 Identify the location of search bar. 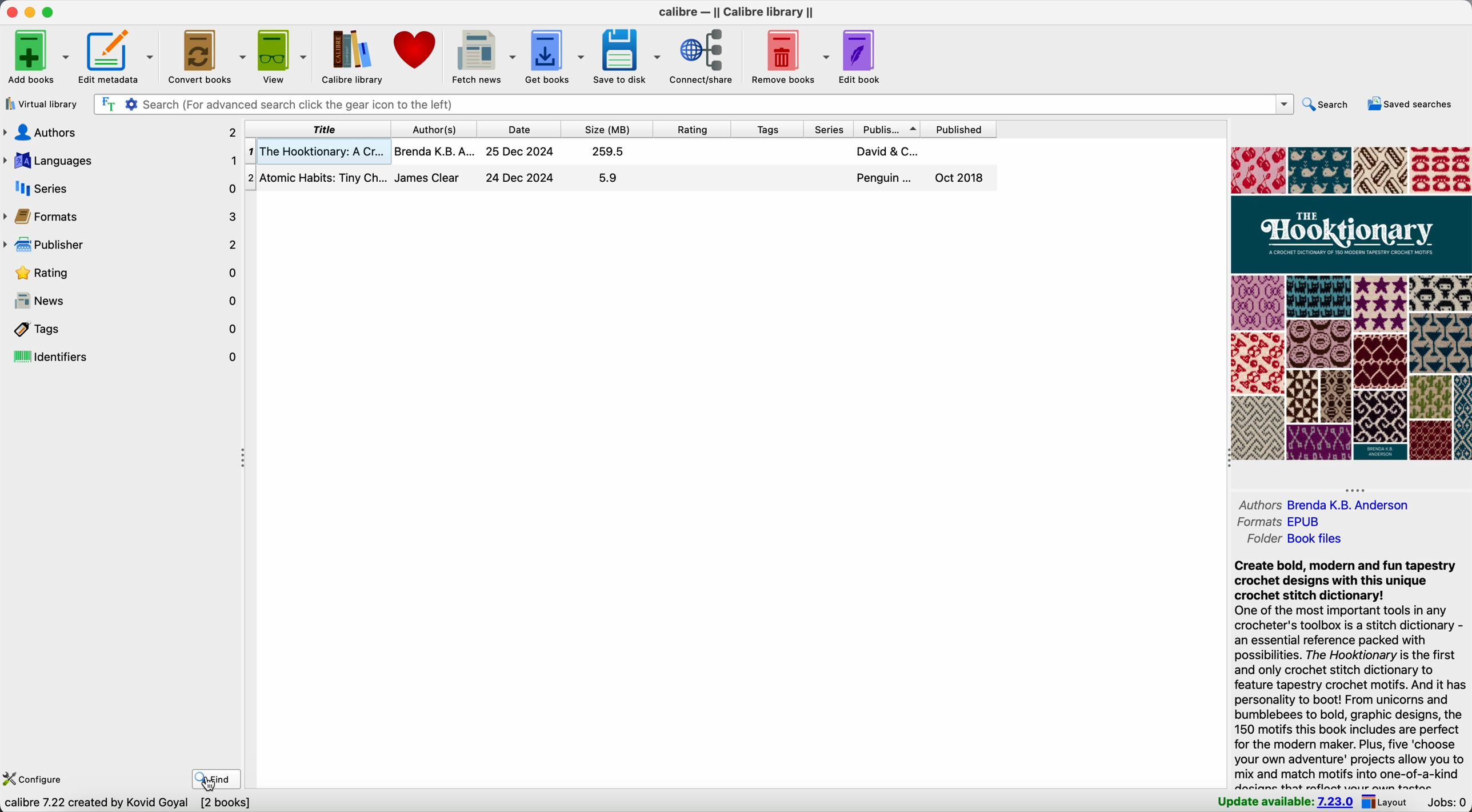
(694, 105).